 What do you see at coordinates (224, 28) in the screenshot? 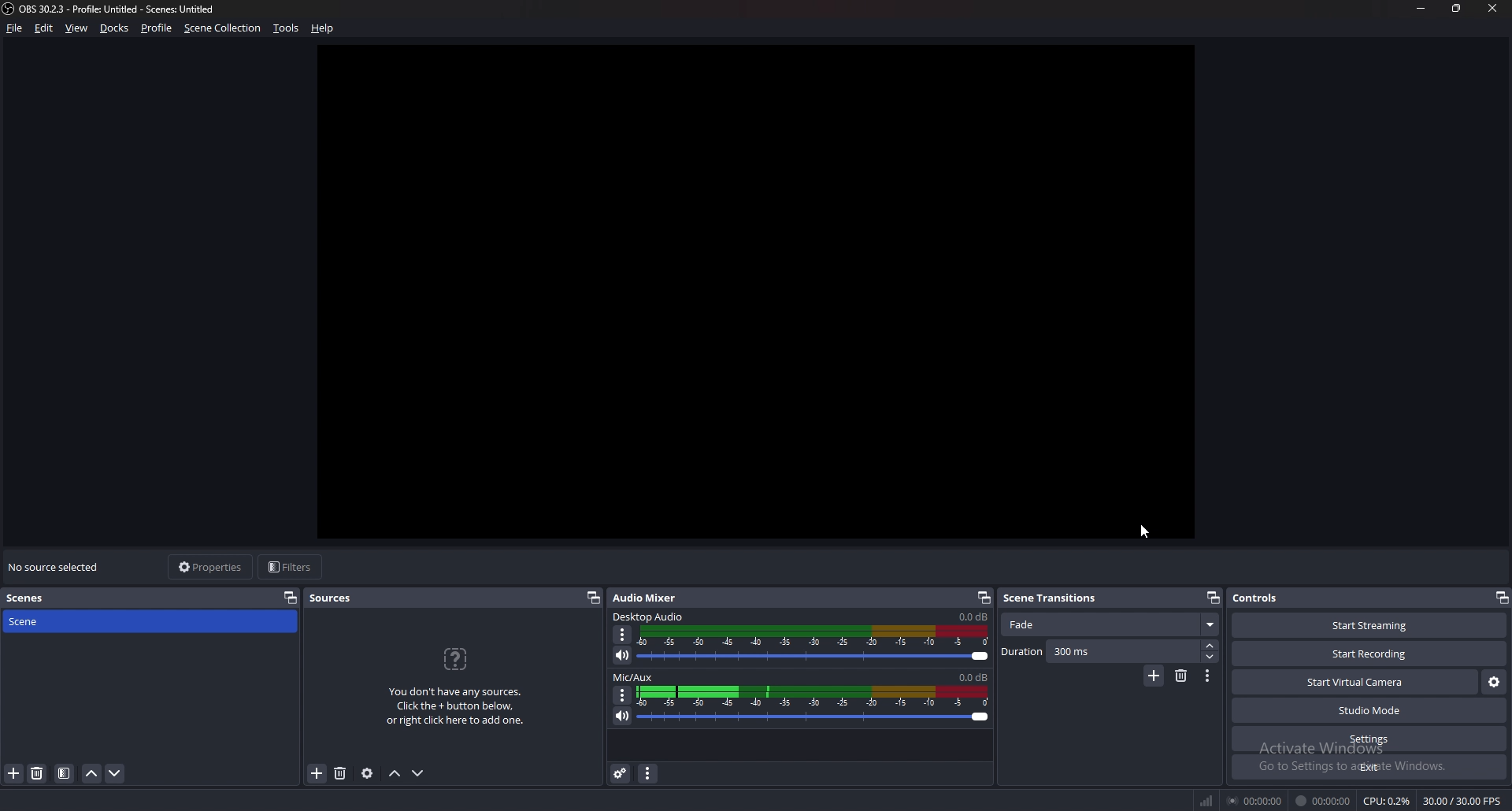
I see `scene collection` at bounding box center [224, 28].